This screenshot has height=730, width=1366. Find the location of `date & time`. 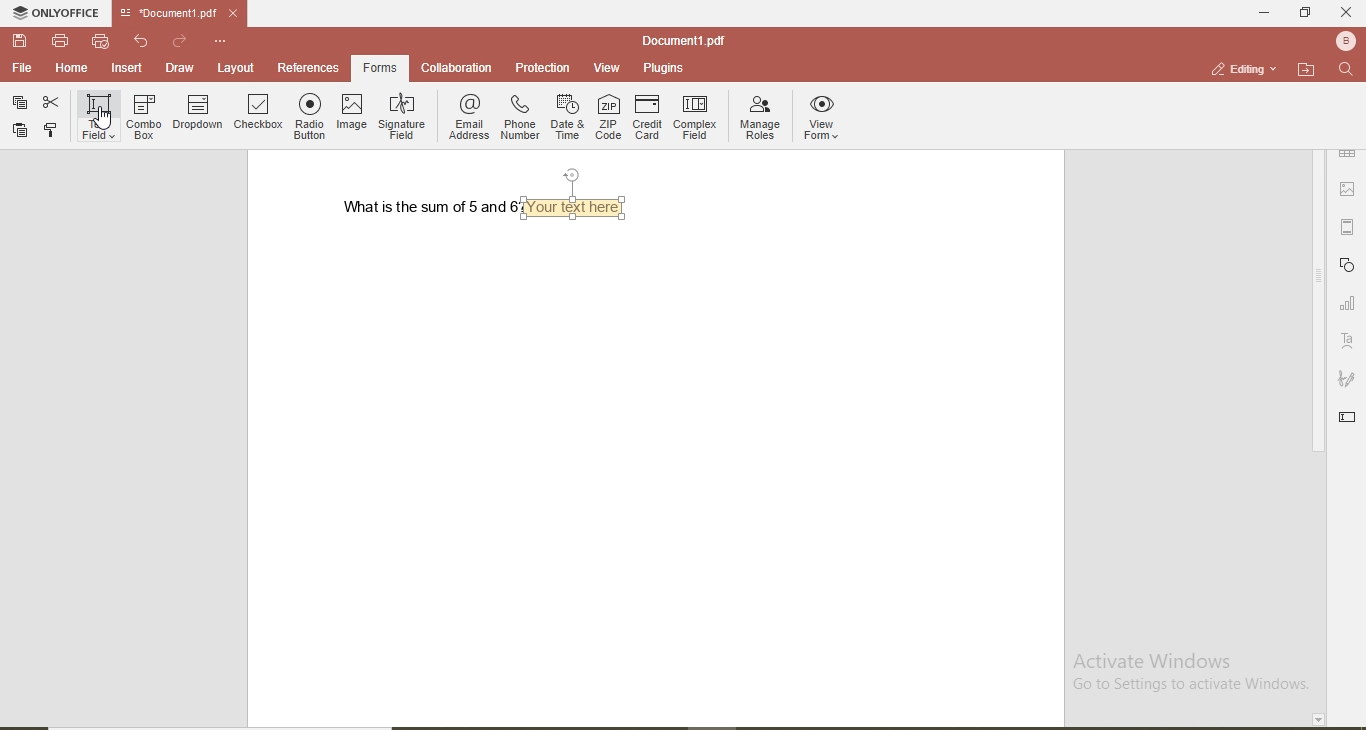

date & time is located at coordinates (567, 116).